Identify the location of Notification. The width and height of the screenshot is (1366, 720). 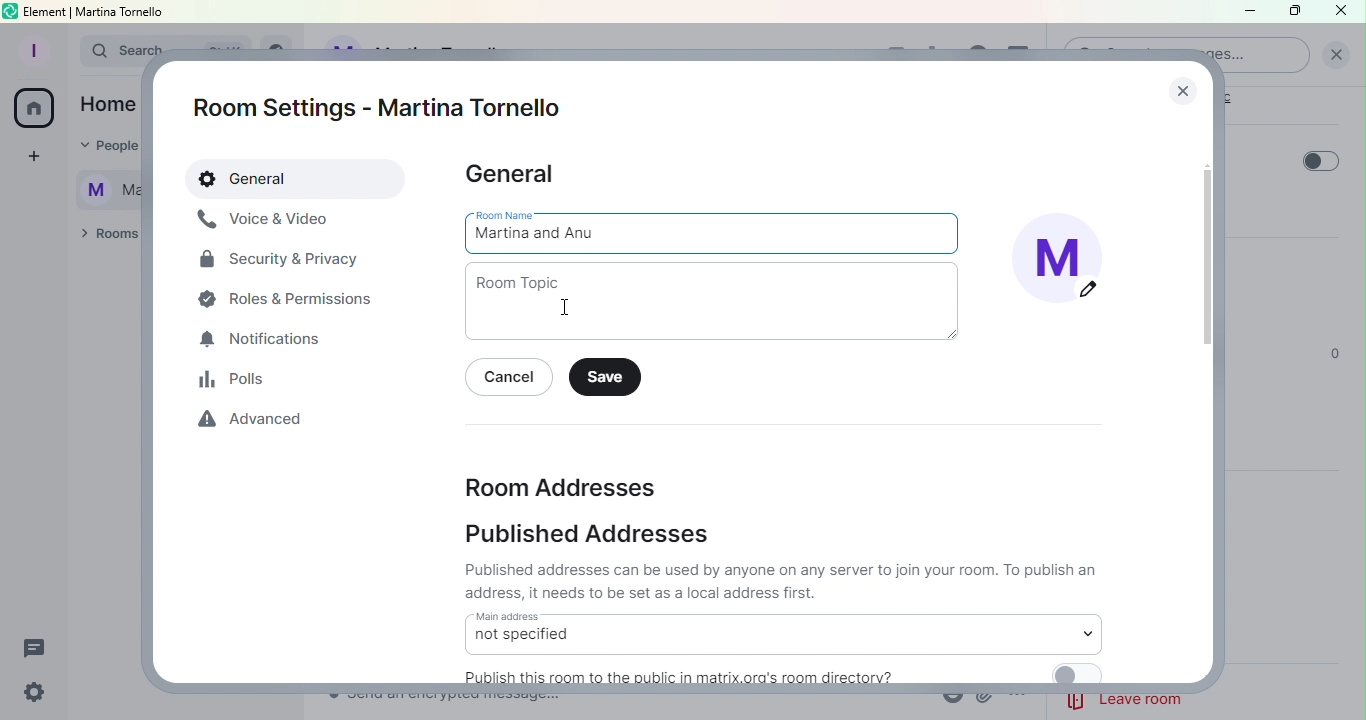
(263, 341).